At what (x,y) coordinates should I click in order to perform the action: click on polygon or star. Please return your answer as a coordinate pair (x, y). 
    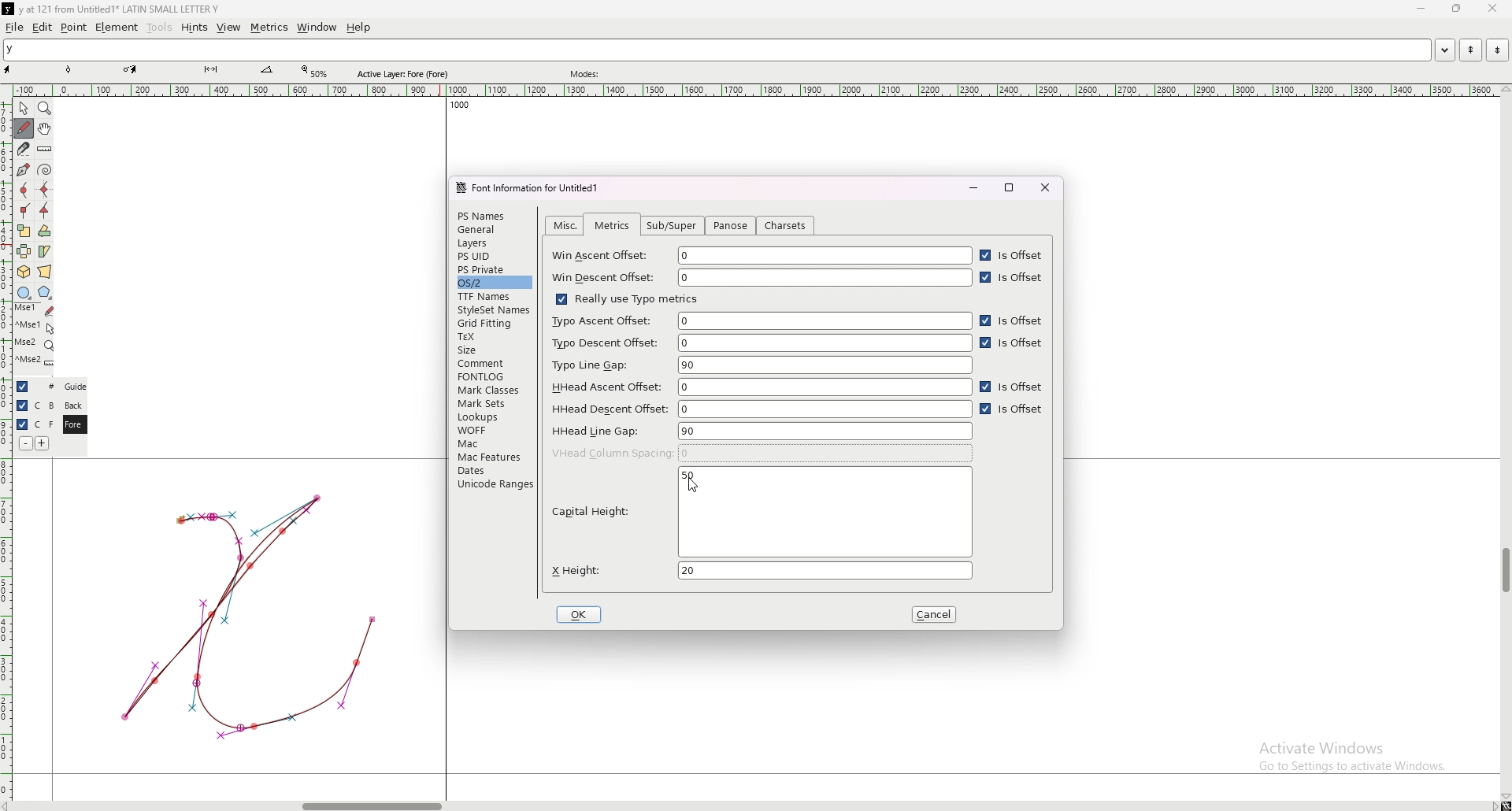
    Looking at the image, I should click on (45, 293).